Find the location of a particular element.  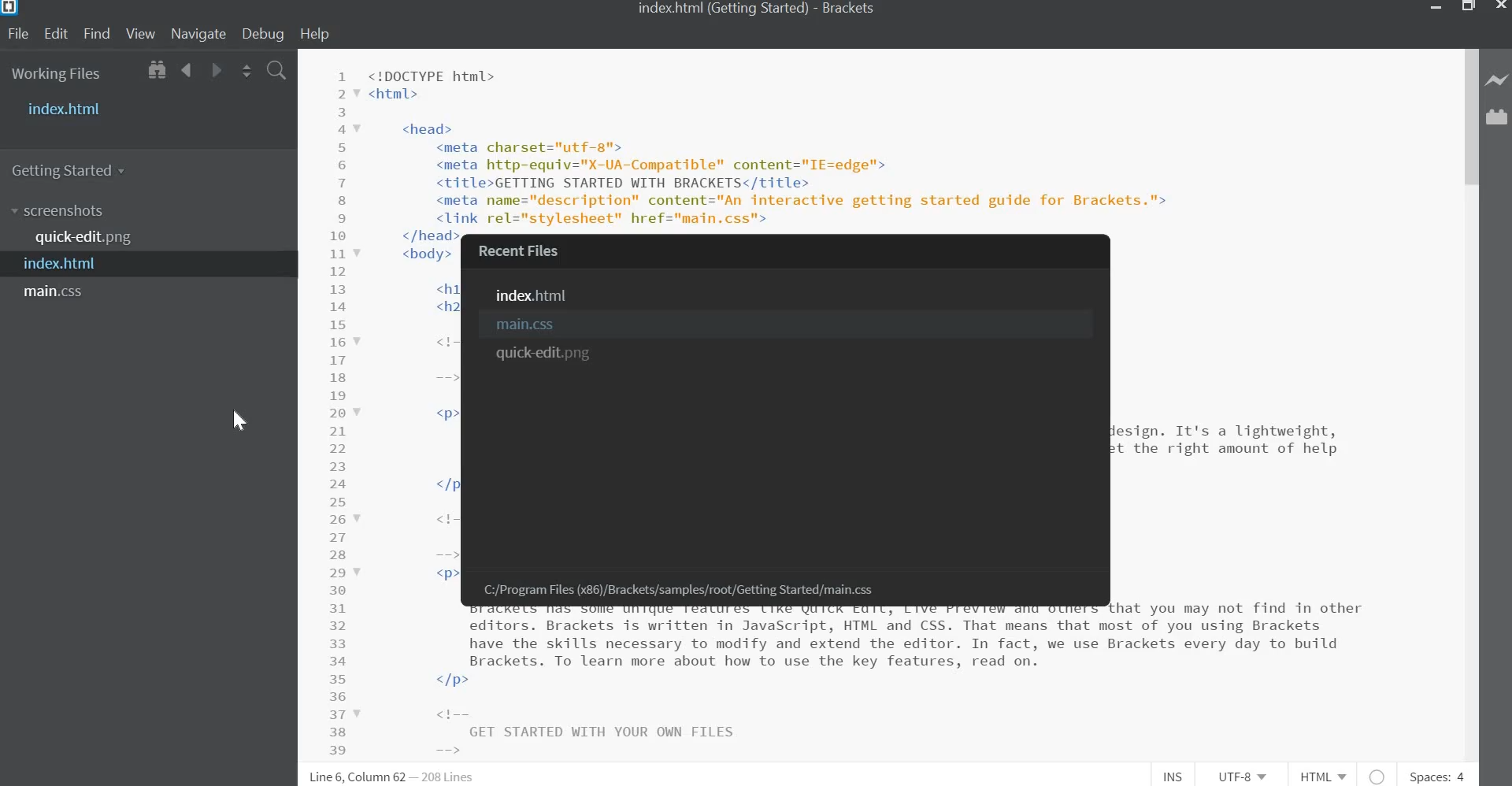

minimize is located at coordinates (1436, 9).